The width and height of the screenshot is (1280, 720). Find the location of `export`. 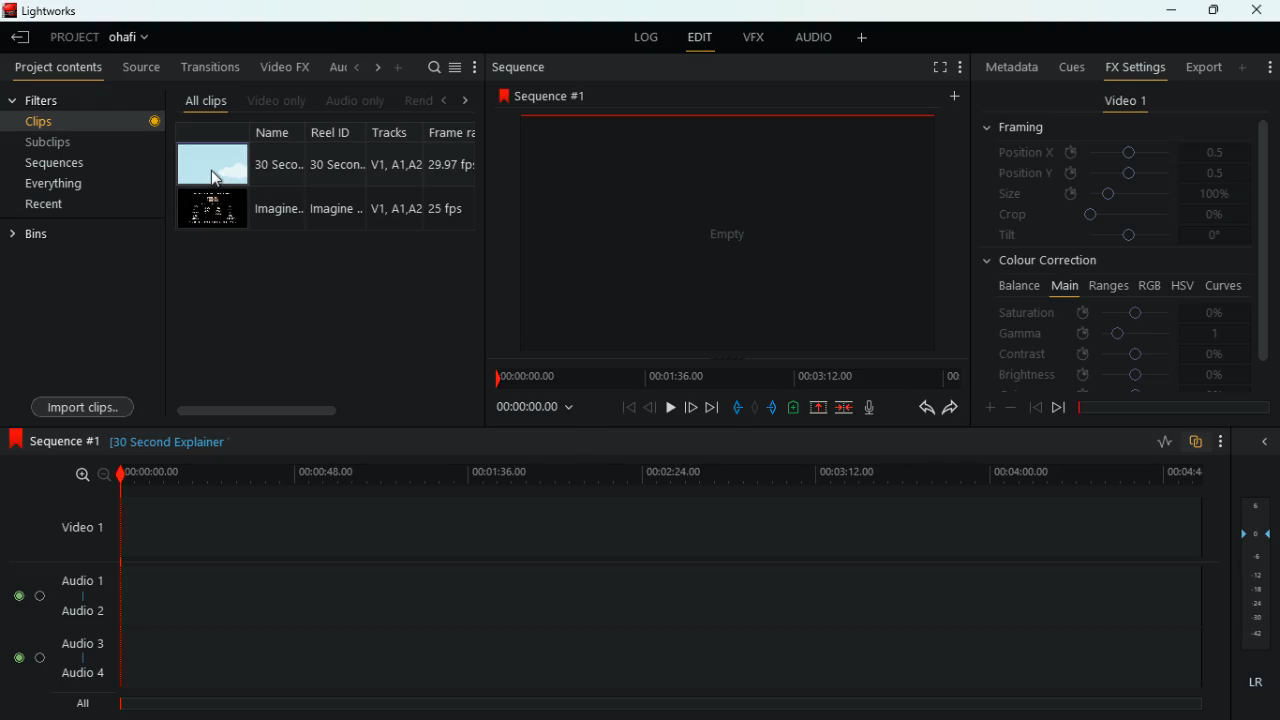

export is located at coordinates (1199, 67).